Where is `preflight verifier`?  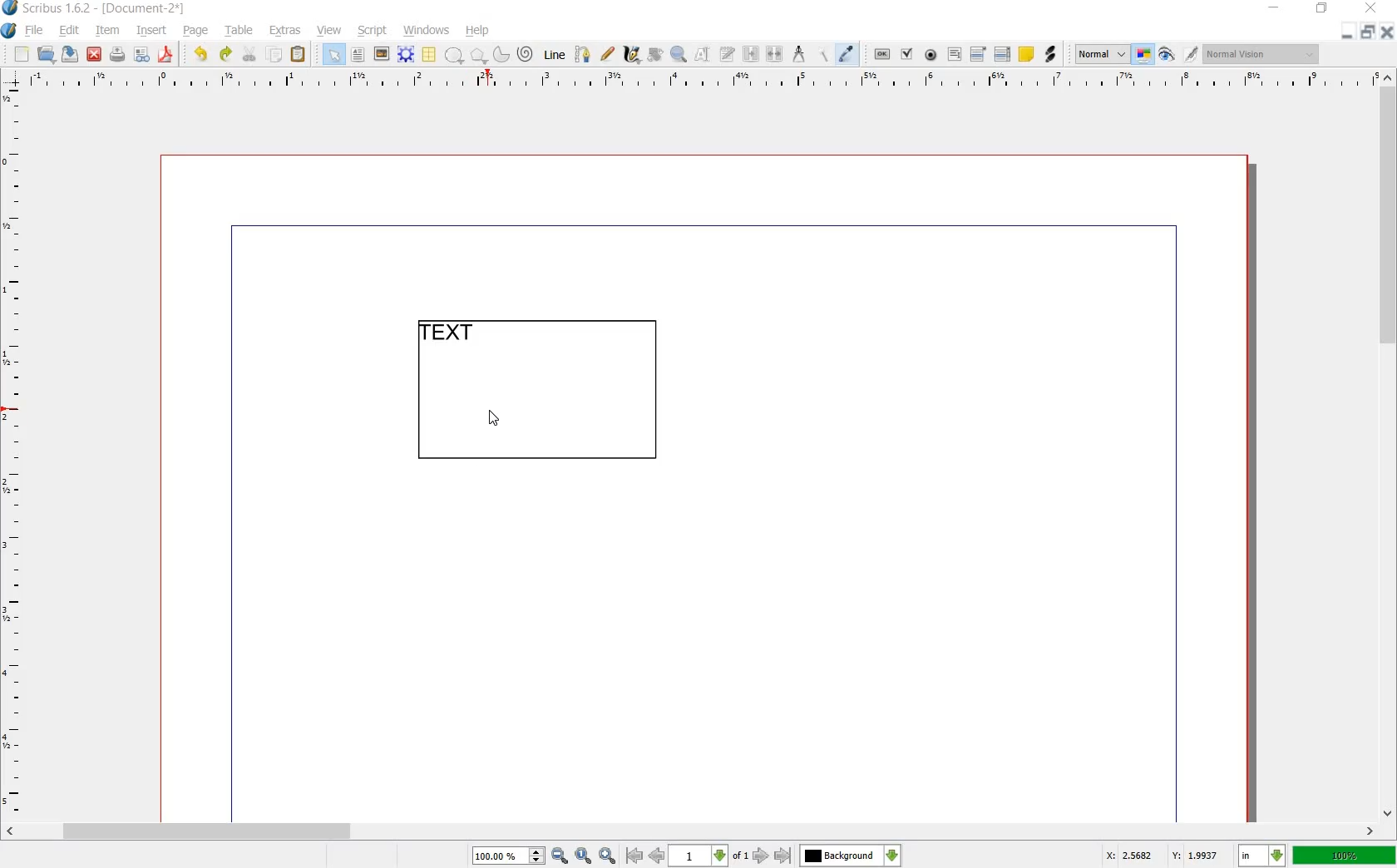
preflight verifier is located at coordinates (141, 55).